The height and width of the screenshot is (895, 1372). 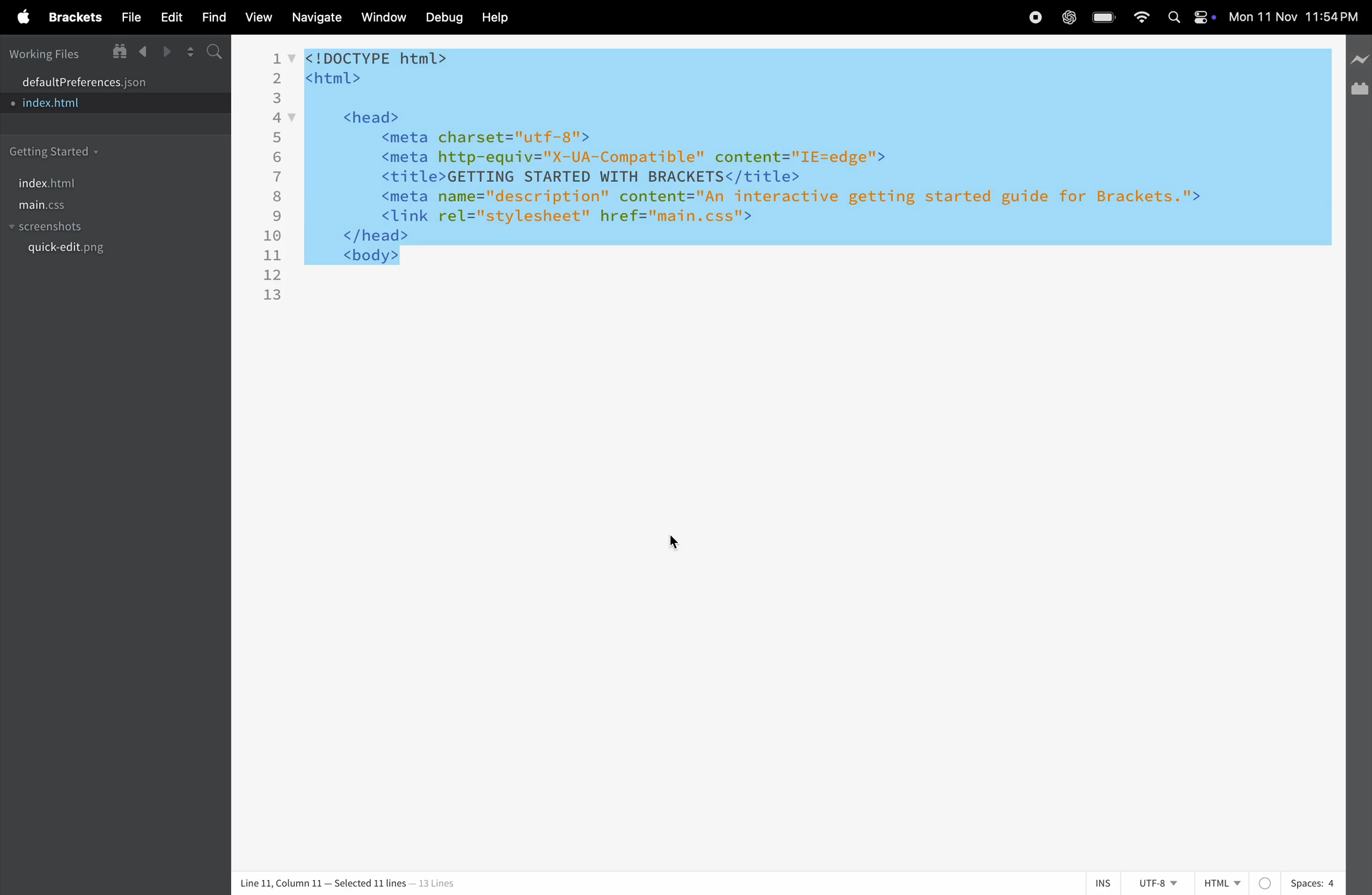 What do you see at coordinates (673, 541) in the screenshot?
I see `cursor` at bounding box center [673, 541].